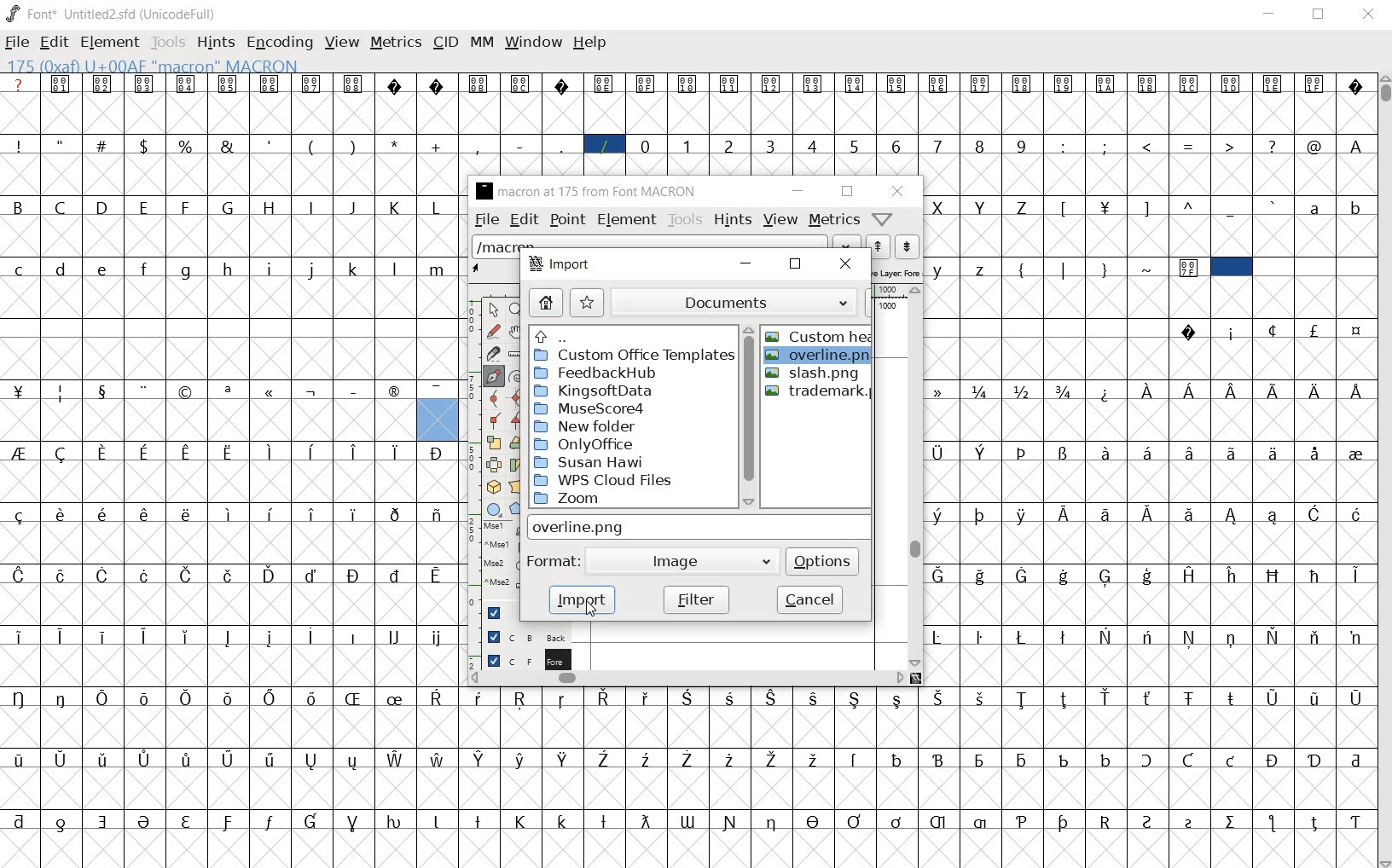 The image size is (1392, 868). Describe the element at coordinates (938, 145) in the screenshot. I see `7` at that location.